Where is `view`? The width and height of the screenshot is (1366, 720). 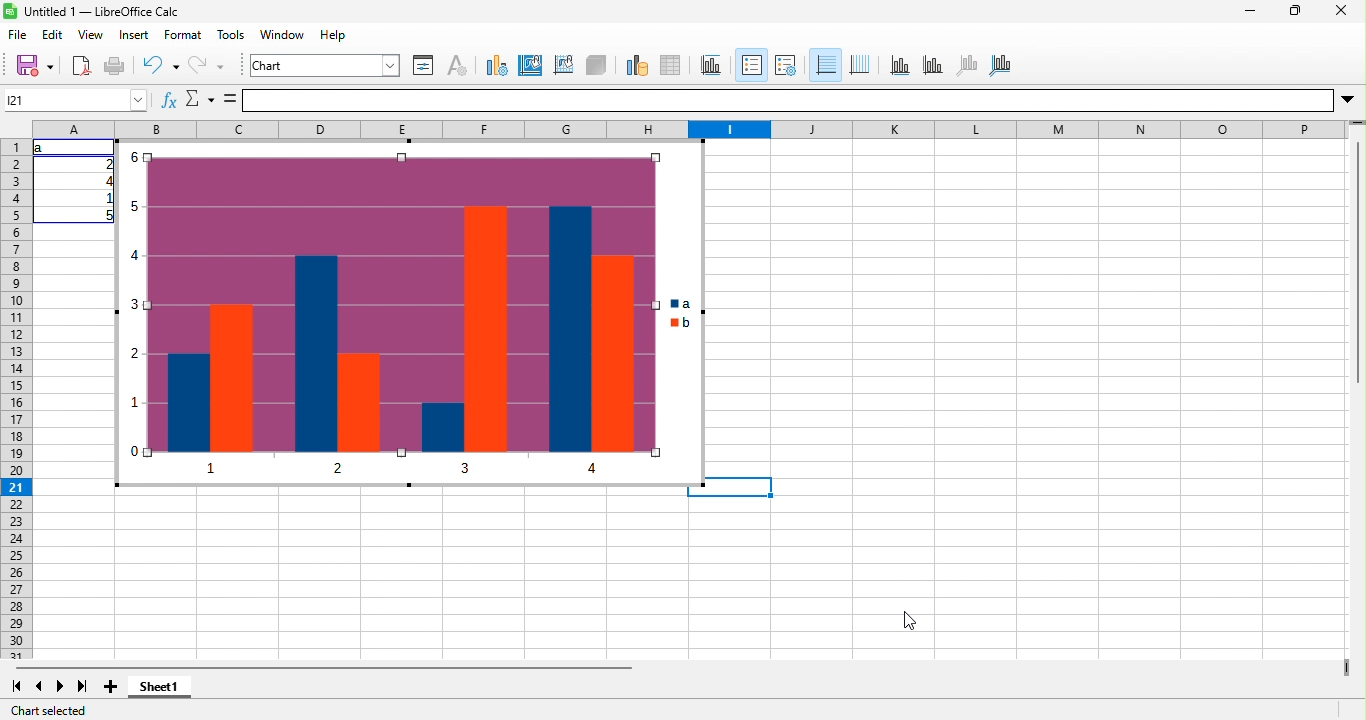 view is located at coordinates (91, 34).